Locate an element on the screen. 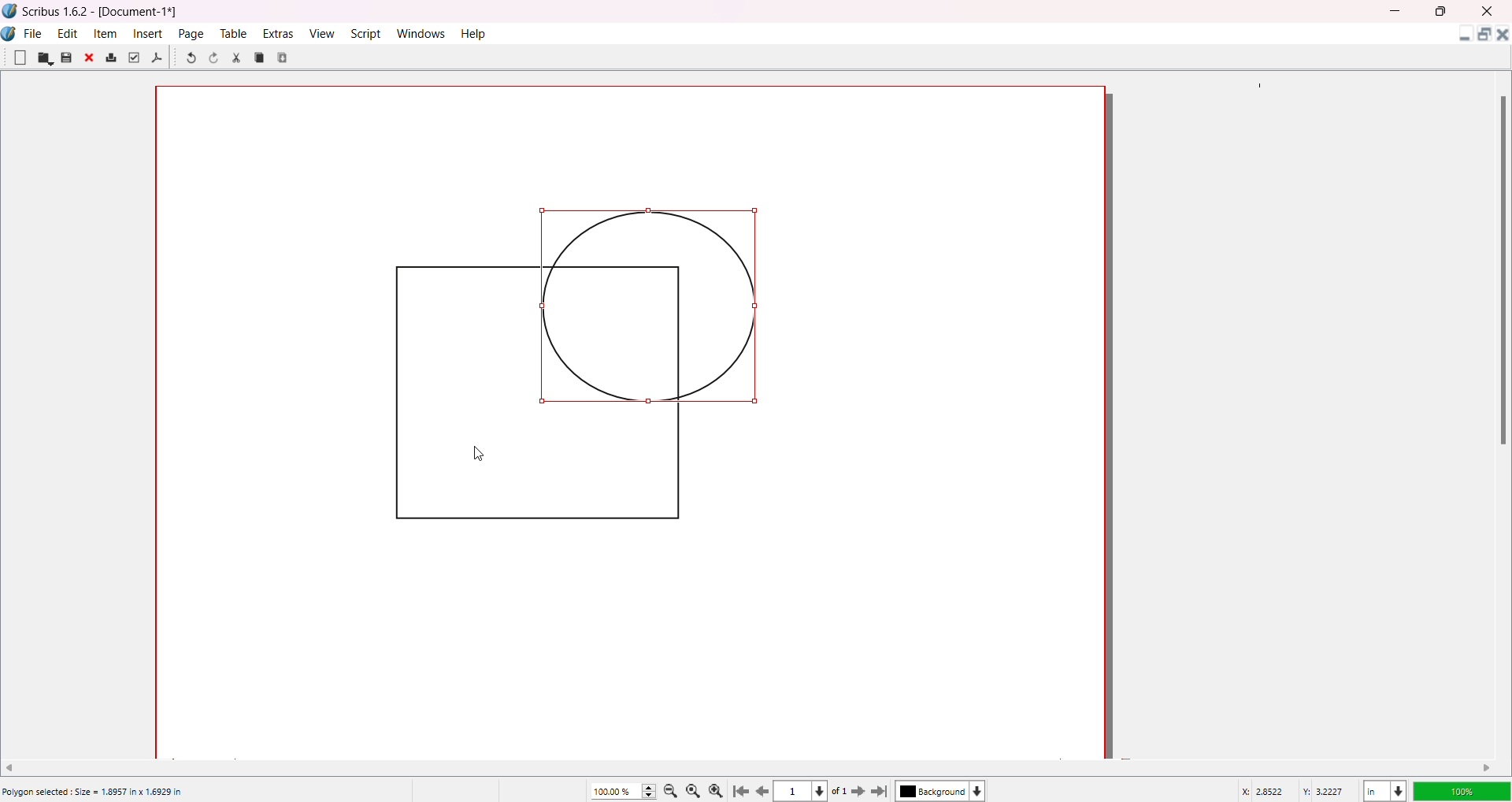  MInimize is located at coordinates (1398, 11).